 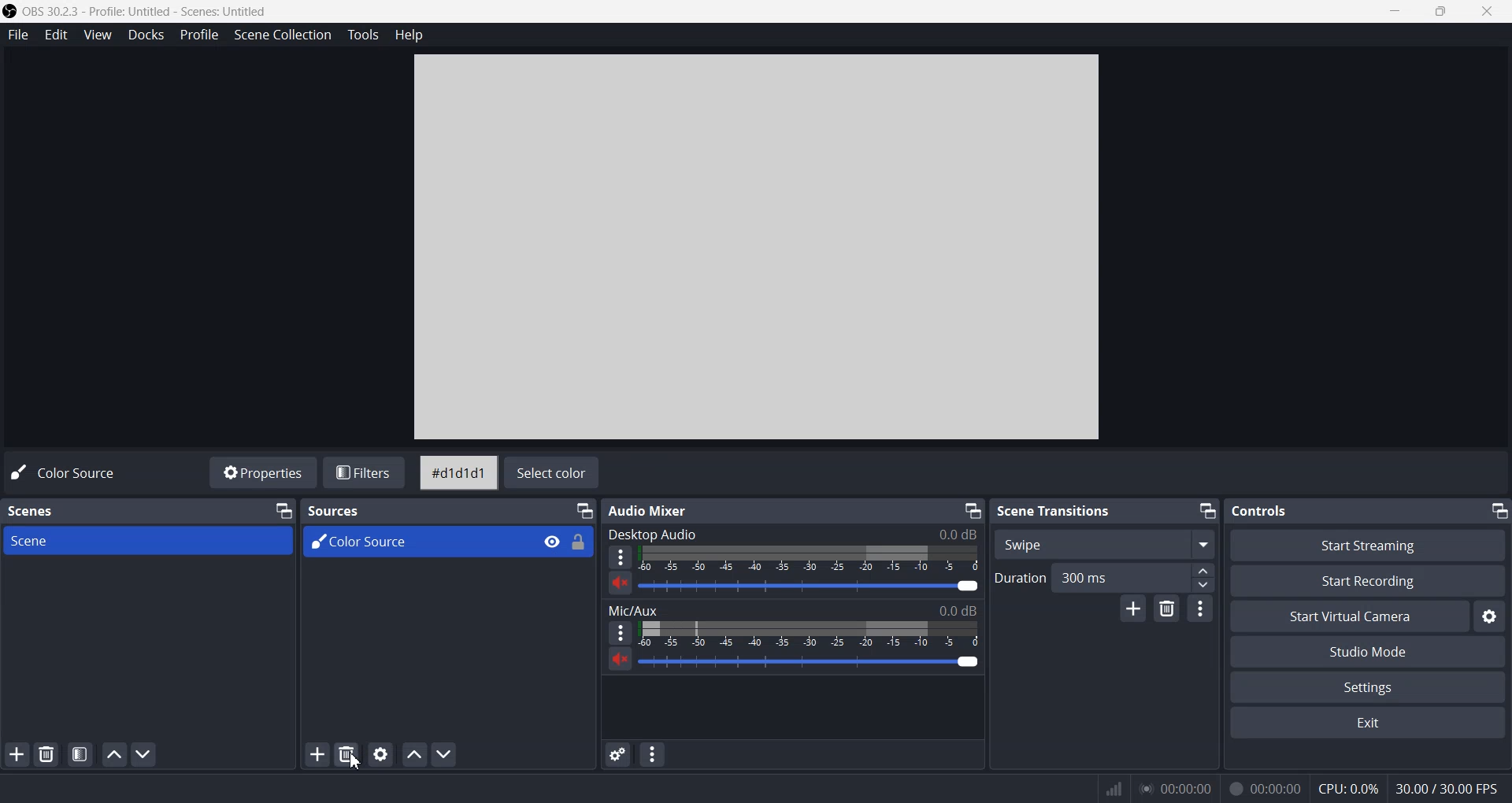 What do you see at coordinates (365, 472) in the screenshot?
I see `Filters` at bounding box center [365, 472].